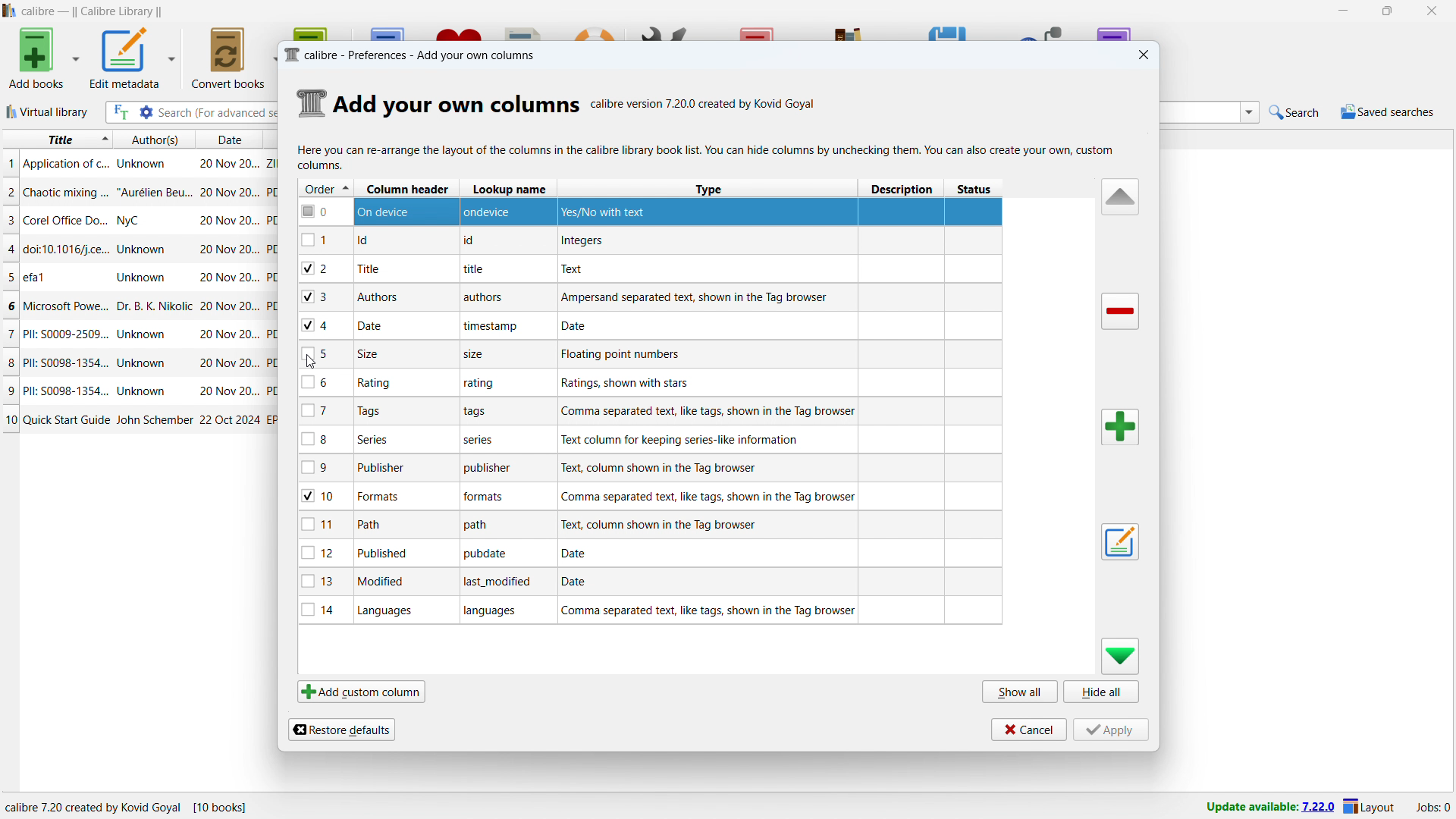 The height and width of the screenshot is (819, 1456). What do you see at coordinates (480, 384) in the screenshot?
I see `rating` at bounding box center [480, 384].